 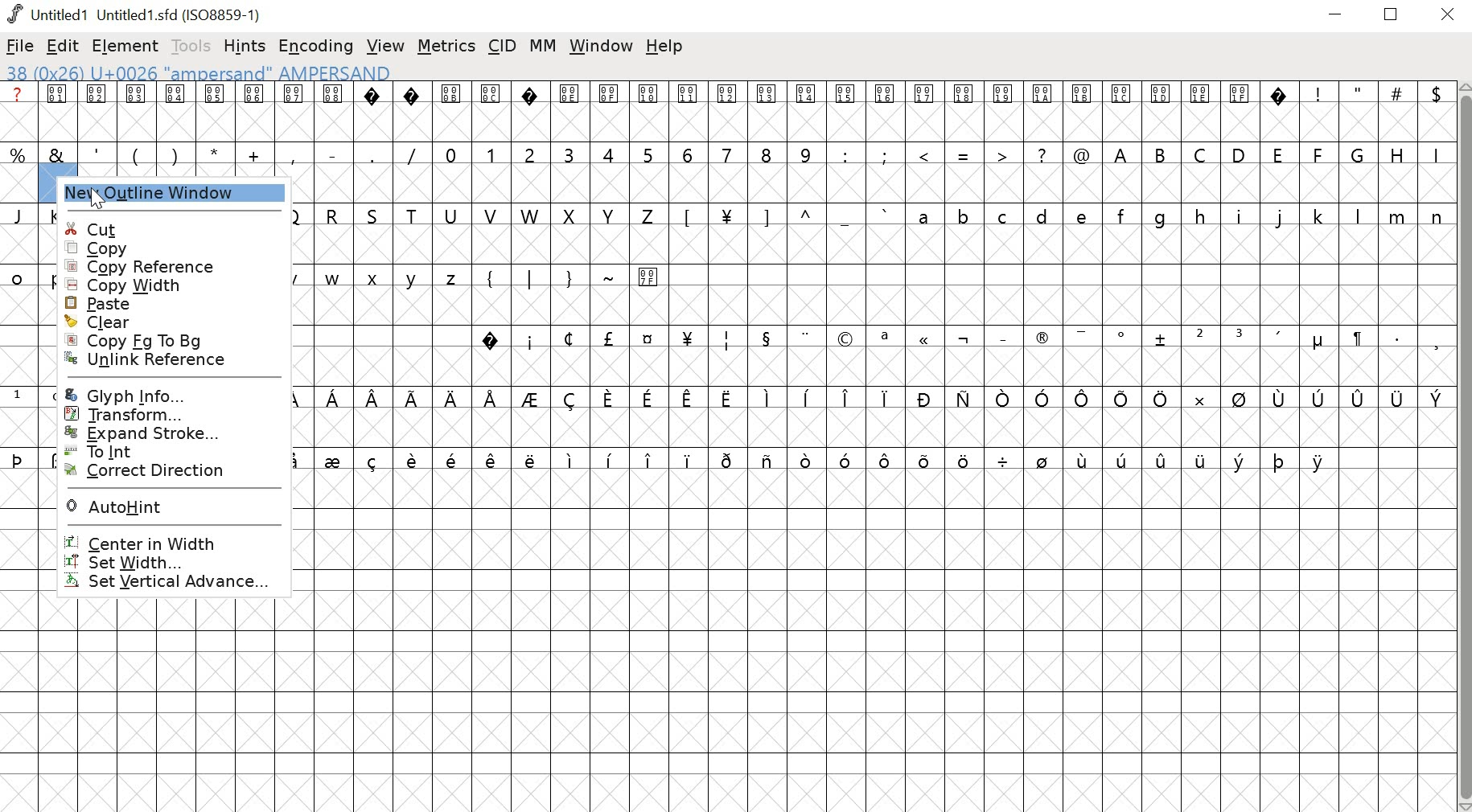 What do you see at coordinates (805, 154) in the screenshot?
I see `9` at bounding box center [805, 154].